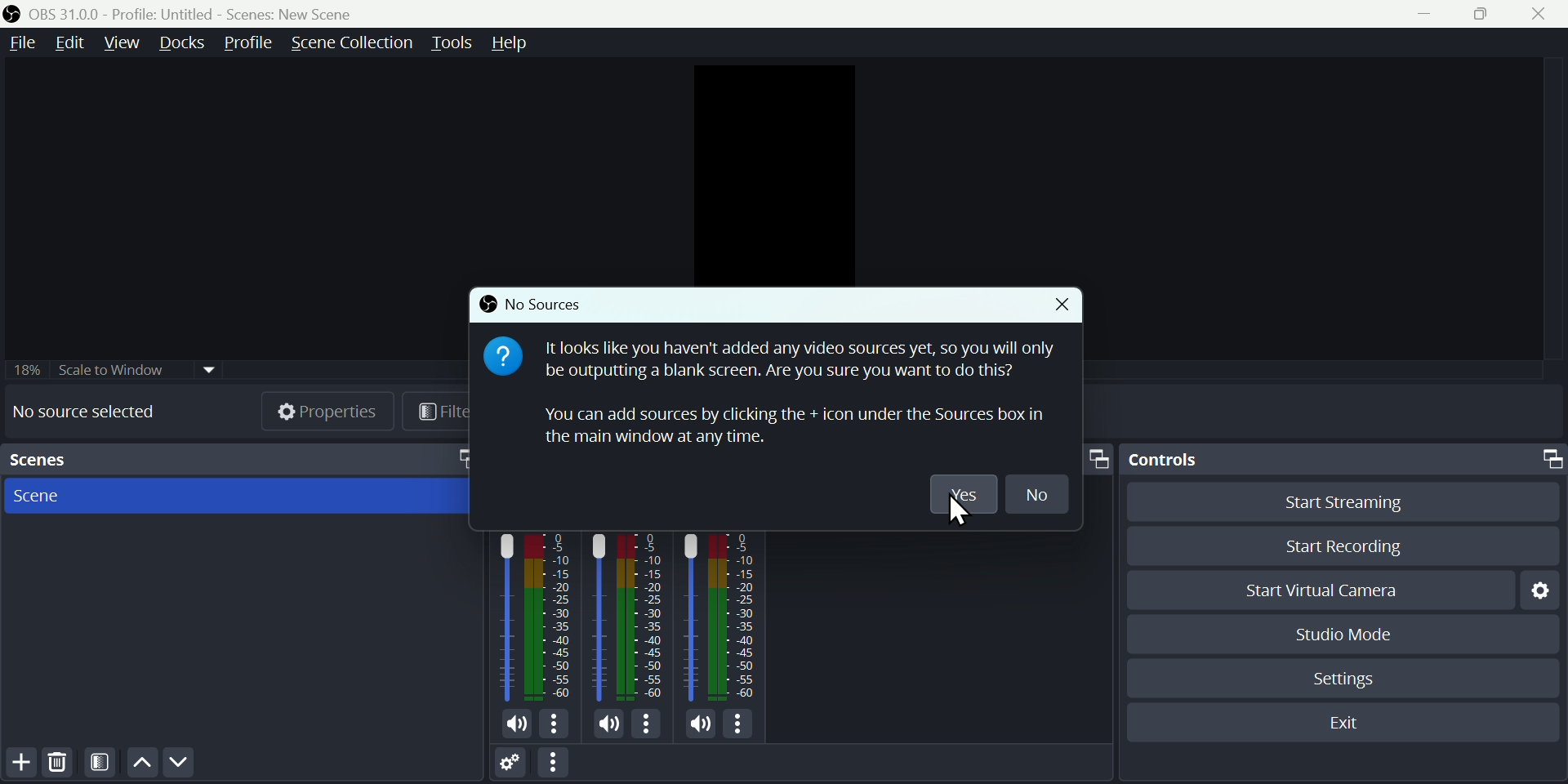 The height and width of the screenshot is (784, 1568). I want to click on help, so click(506, 41).